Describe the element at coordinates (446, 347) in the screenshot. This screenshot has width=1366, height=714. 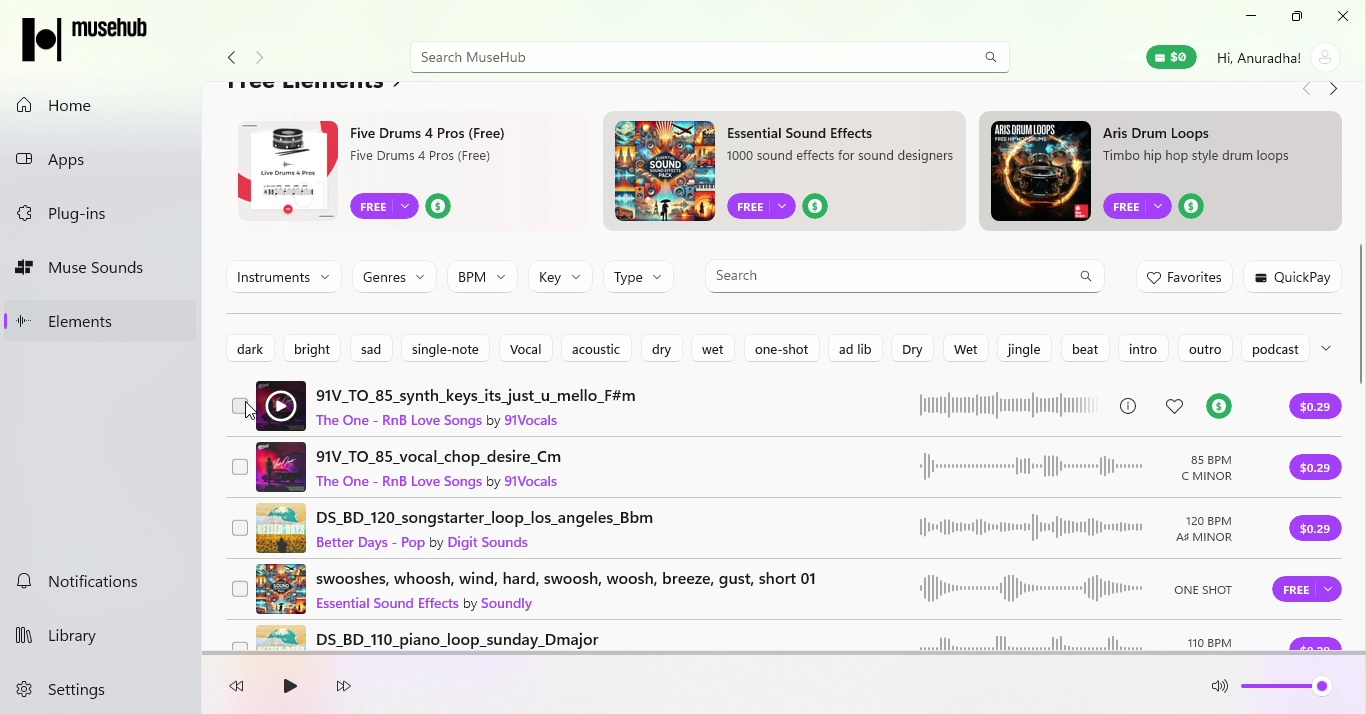
I see `Single note` at that location.